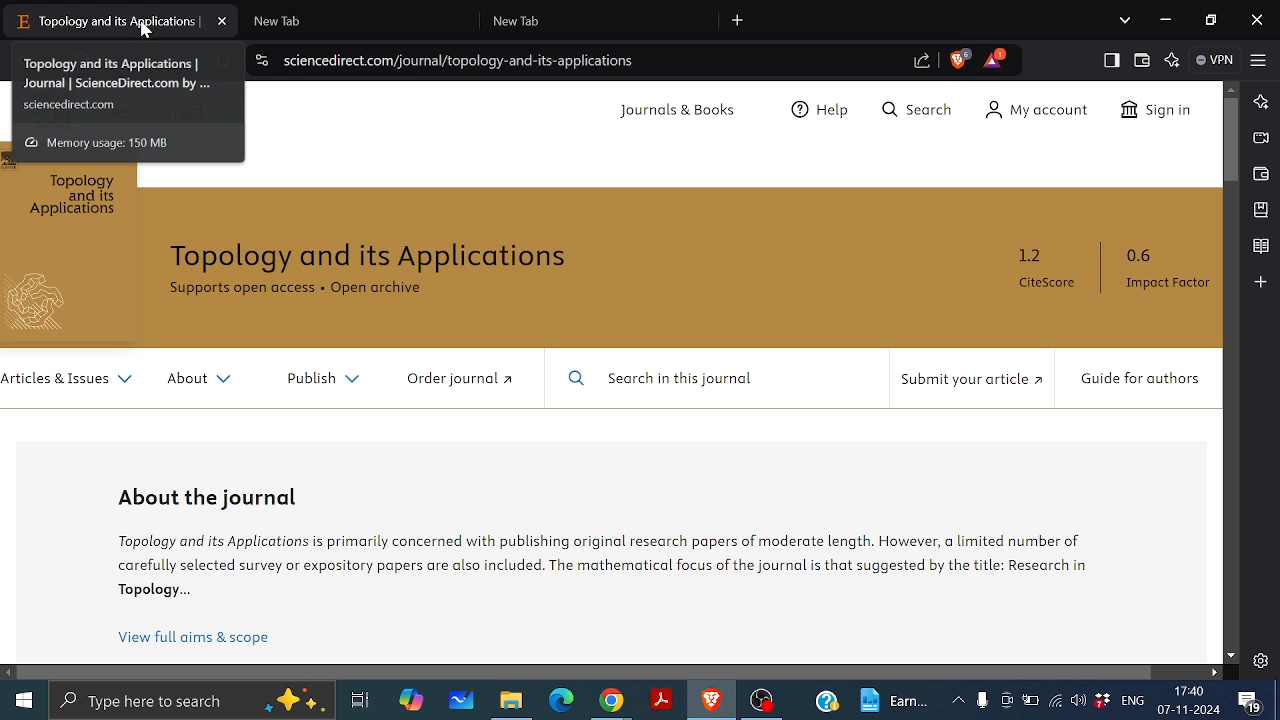 The height and width of the screenshot is (720, 1280). What do you see at coordinates (414, 702) in the screenshot?
I see `Copilot` at bounding box center [414, 702].